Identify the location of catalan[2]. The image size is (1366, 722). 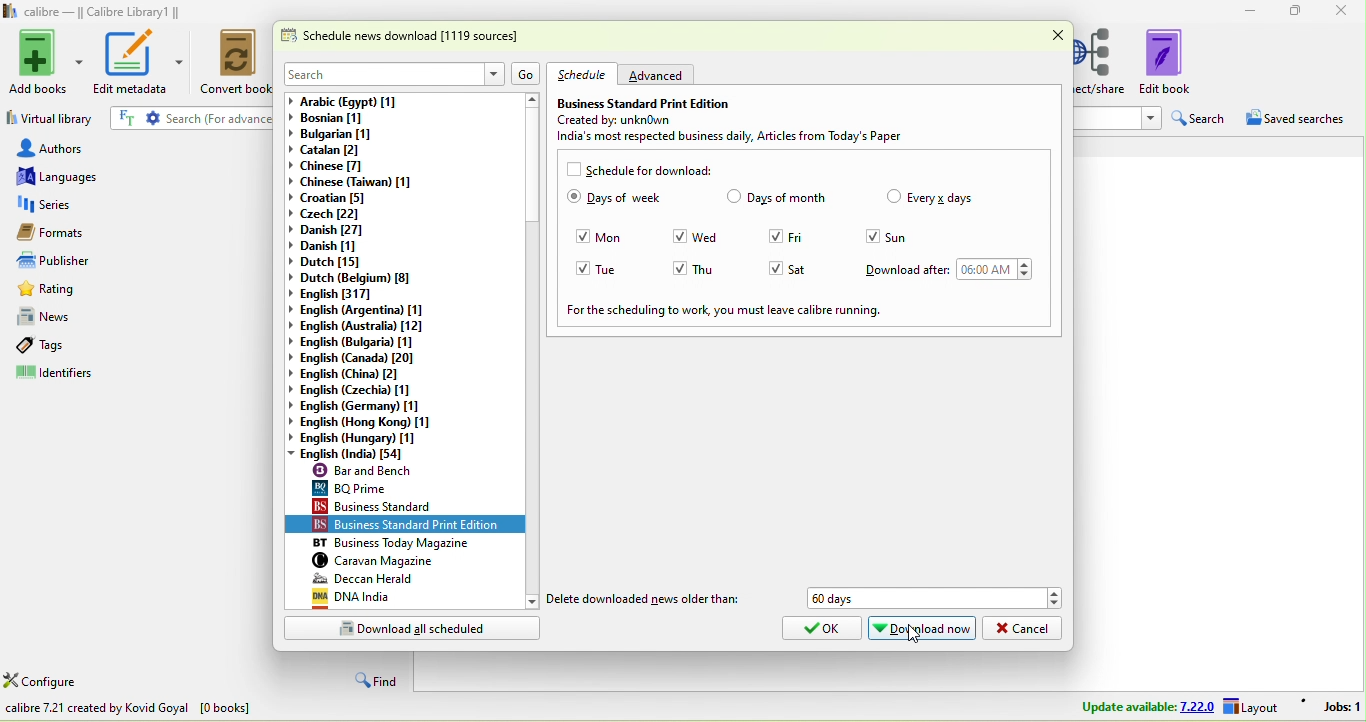
(342, 152).